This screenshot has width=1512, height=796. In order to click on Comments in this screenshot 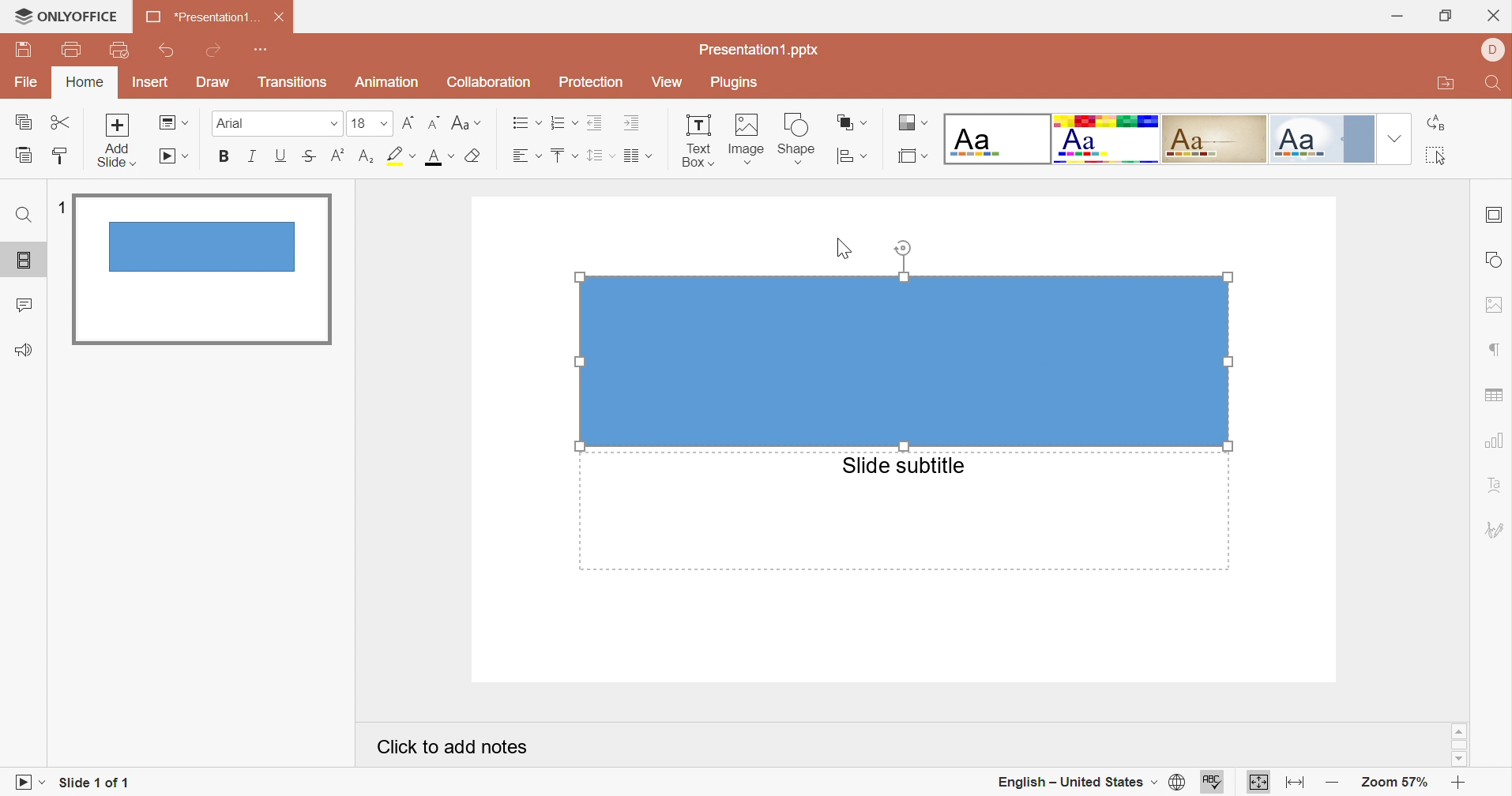, I will do `click(23, 307)`.